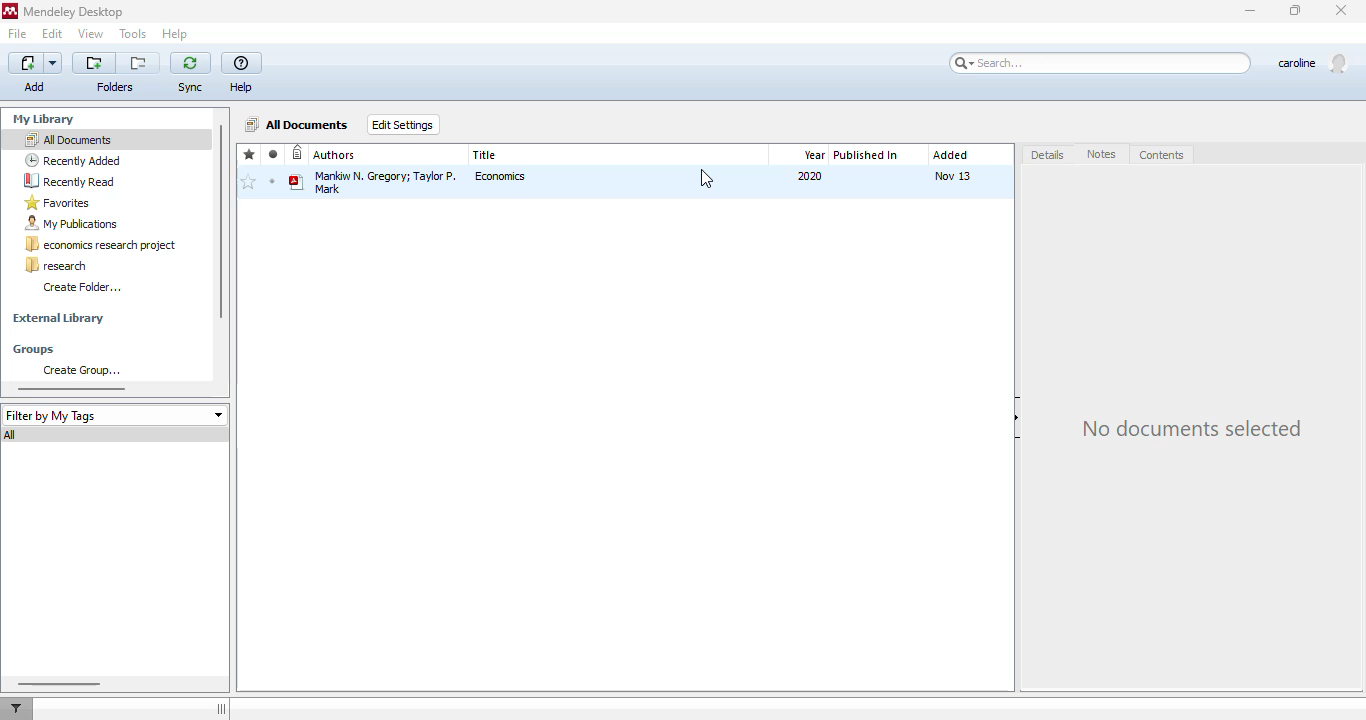 This screenshot has height=720, width=1366. Describe the element at coordinates (114, 87) in the screenshot. I see `folder` at that location.